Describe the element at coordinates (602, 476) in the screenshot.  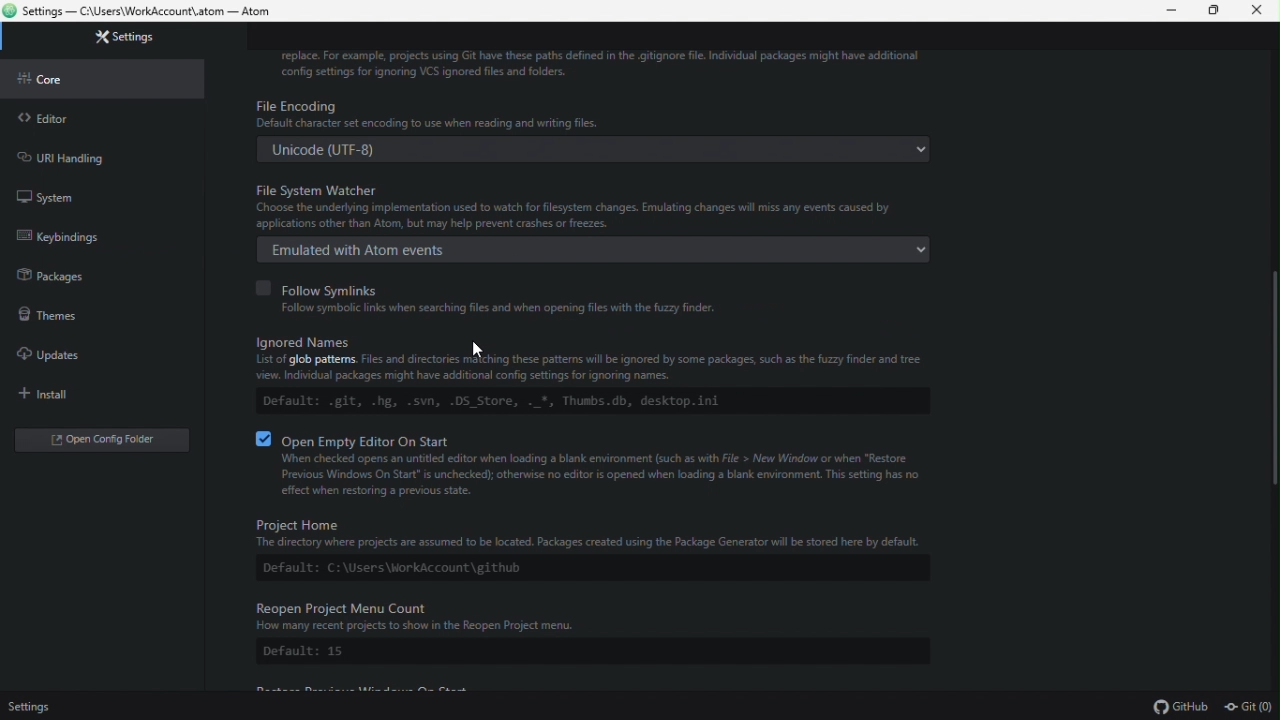
I see `When checked opens an untitled editor when loading a blank environment such as with File > New Window or when "Restore Previous Windows On Start" s unchecked); otherwise no editor  is opened when loading a blank environment. This setting has no effect when restoring a previous state` at that location.